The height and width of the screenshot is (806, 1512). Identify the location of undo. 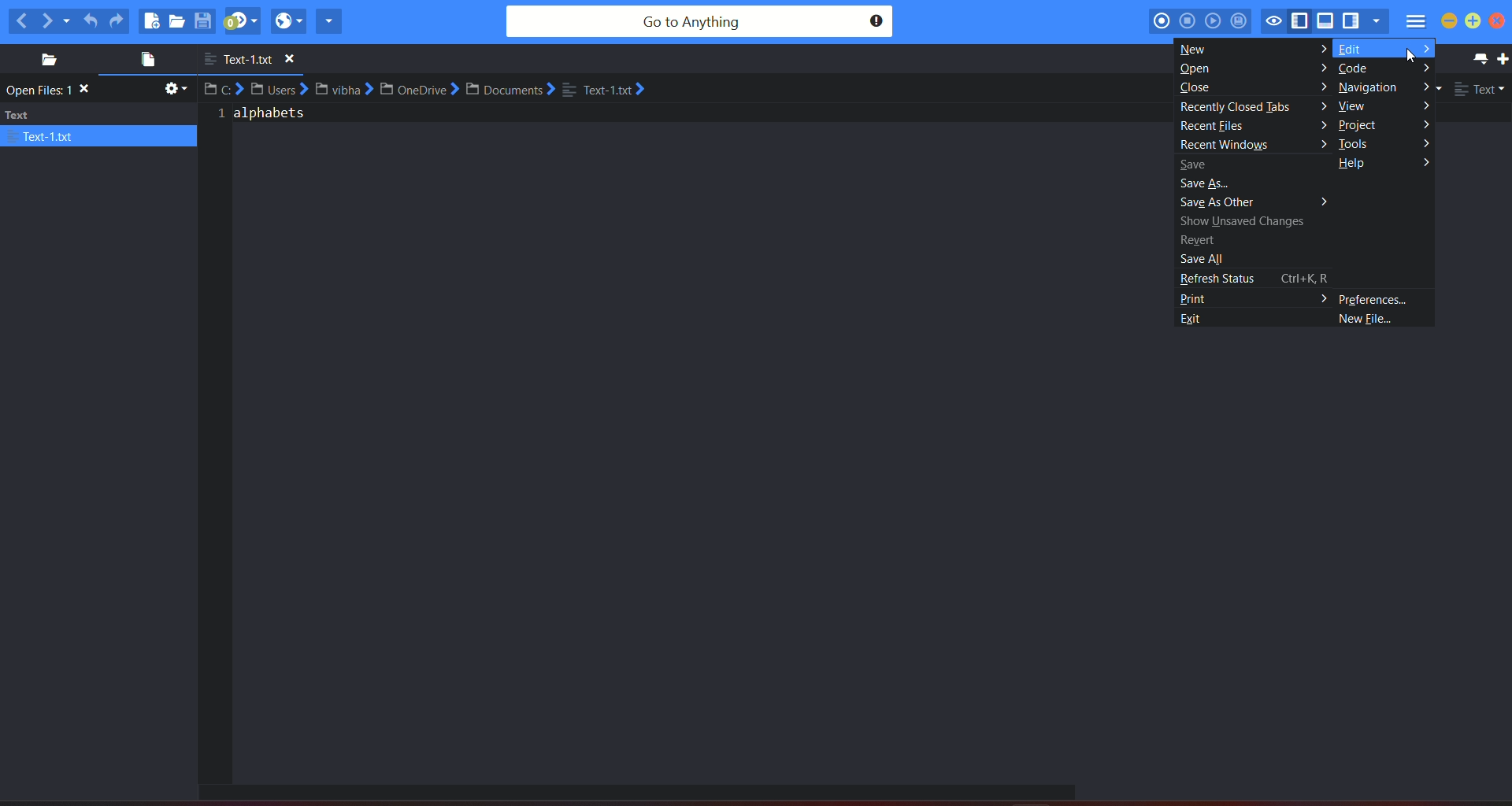
(91, 18).